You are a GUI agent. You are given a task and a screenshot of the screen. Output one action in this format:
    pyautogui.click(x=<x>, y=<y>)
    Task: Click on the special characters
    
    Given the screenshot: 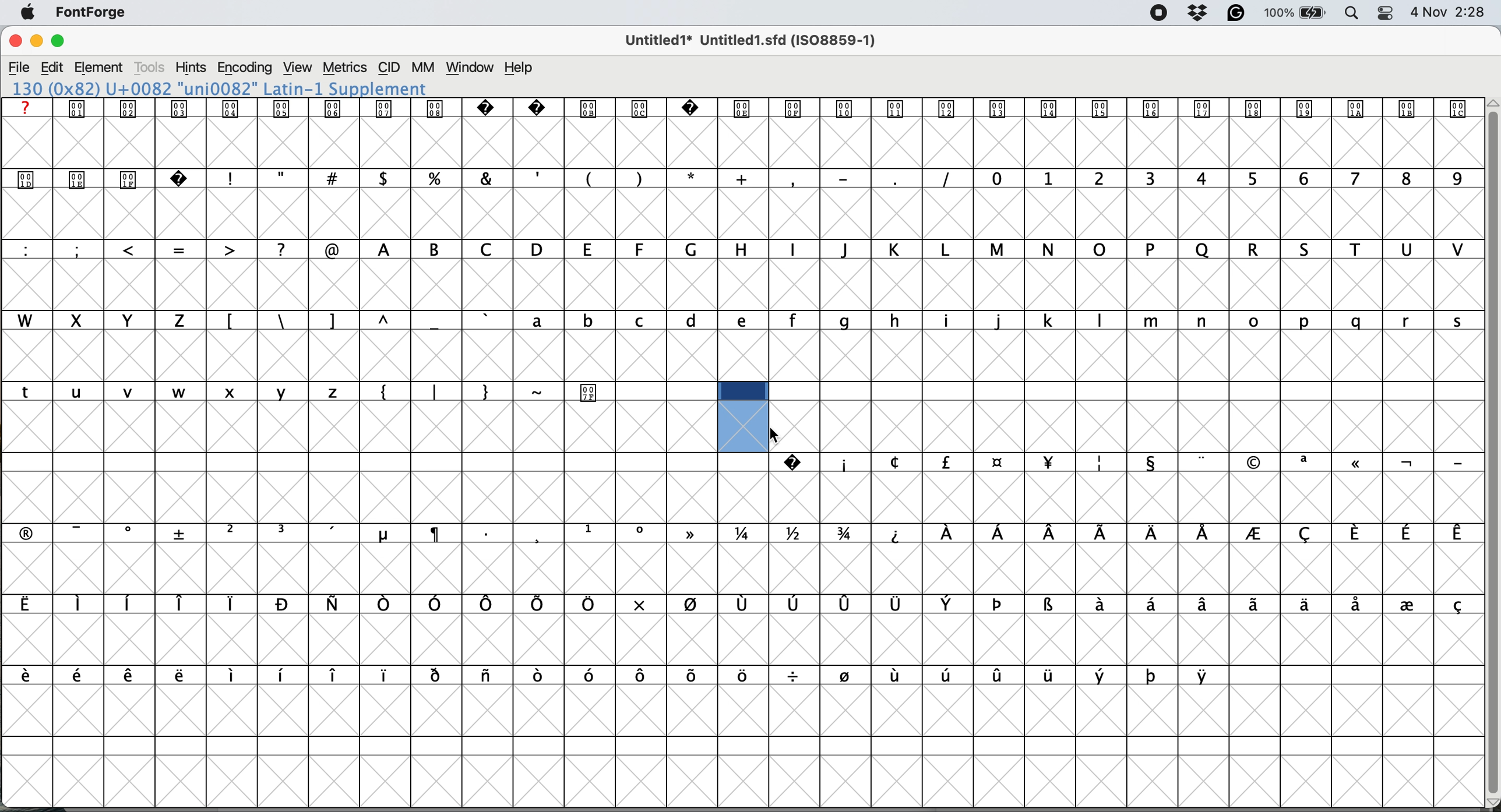 What is the action you would take?
    pyautogui.click(x=186, y=249)
    